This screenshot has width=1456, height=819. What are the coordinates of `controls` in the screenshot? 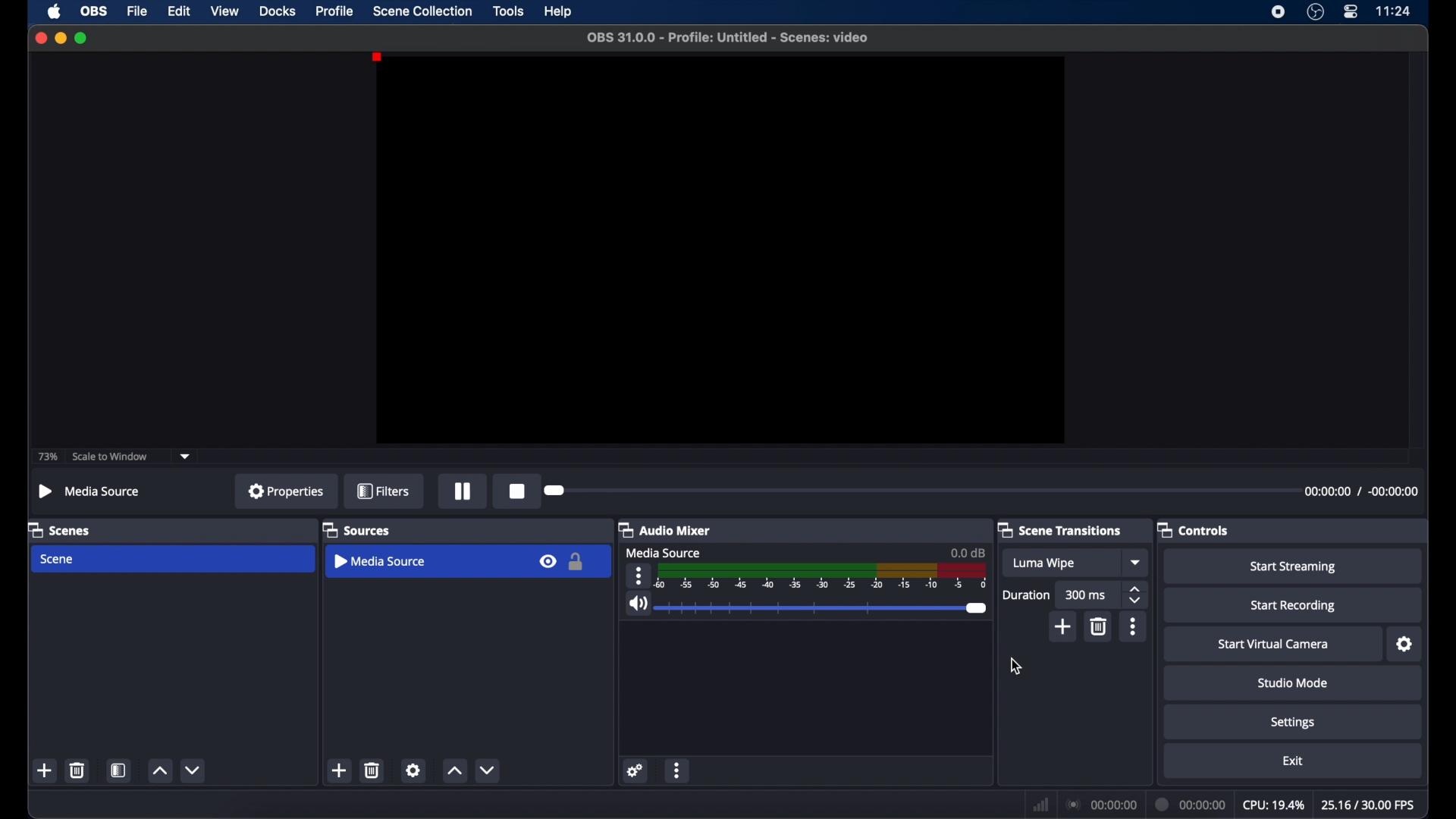 It's located at (1194, 531).